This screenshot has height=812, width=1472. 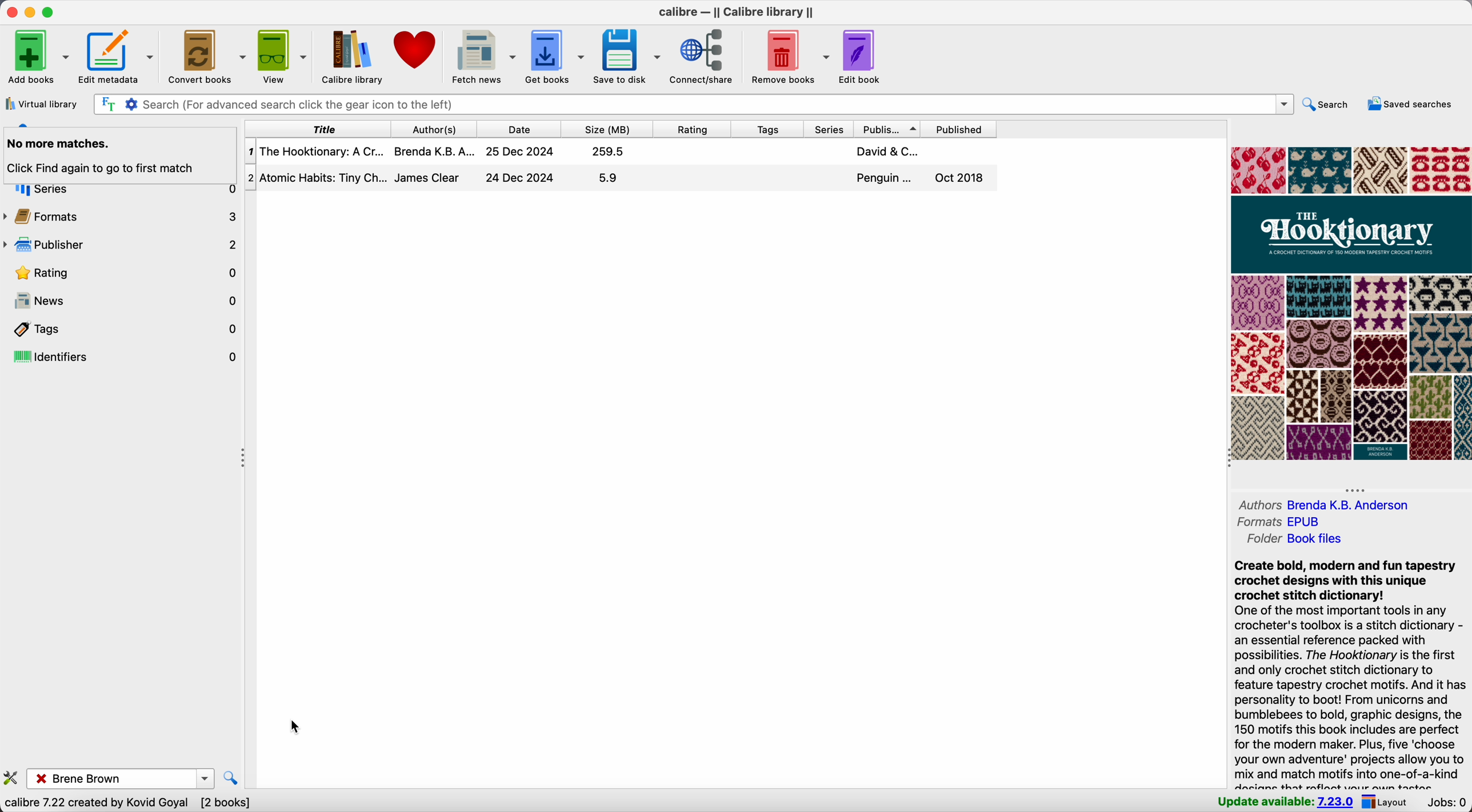 I want to click on publisher, so click(x=122, y=245).